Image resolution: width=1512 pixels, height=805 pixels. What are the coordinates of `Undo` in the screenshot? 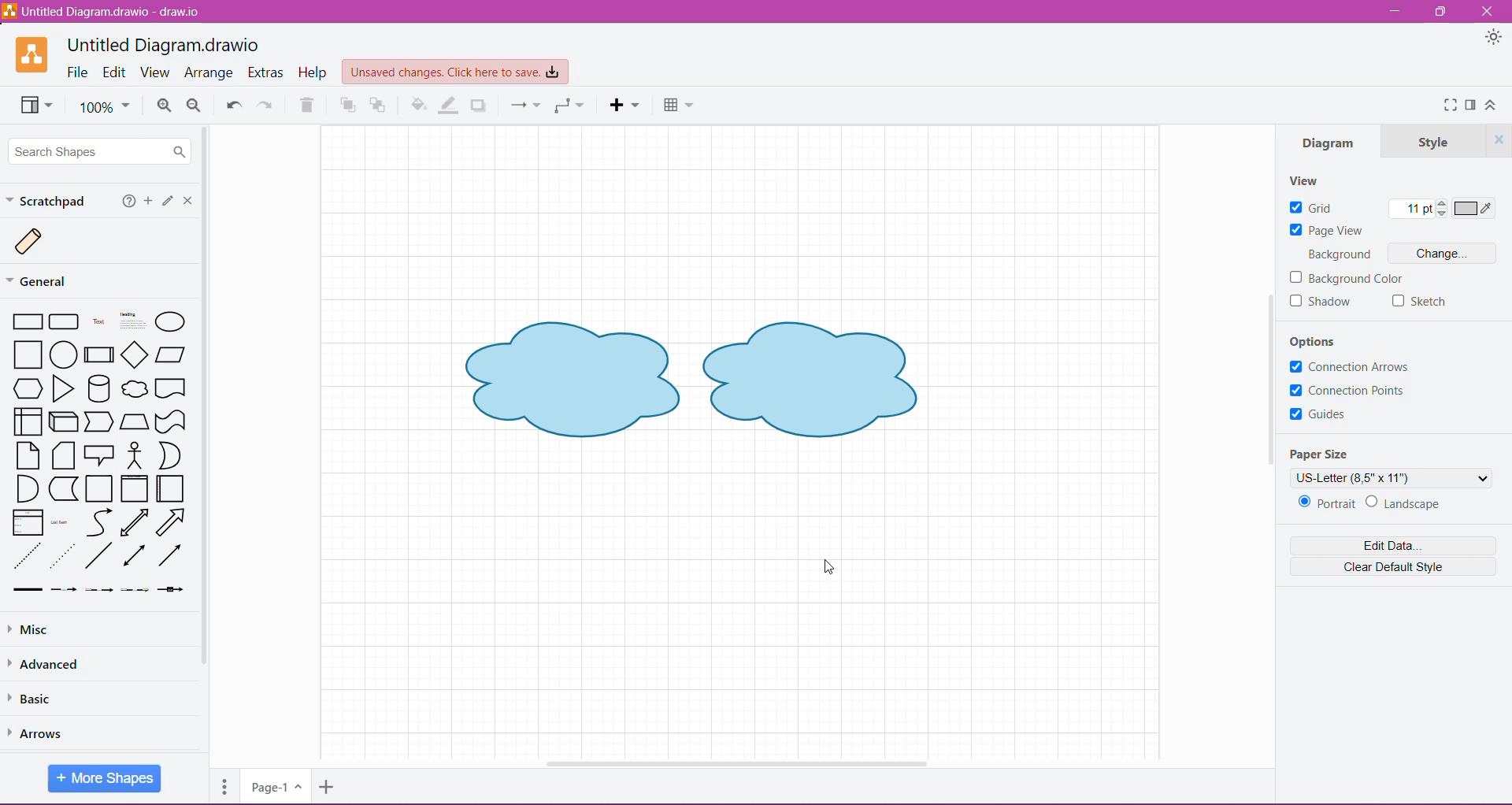 It's located at (234, 106).